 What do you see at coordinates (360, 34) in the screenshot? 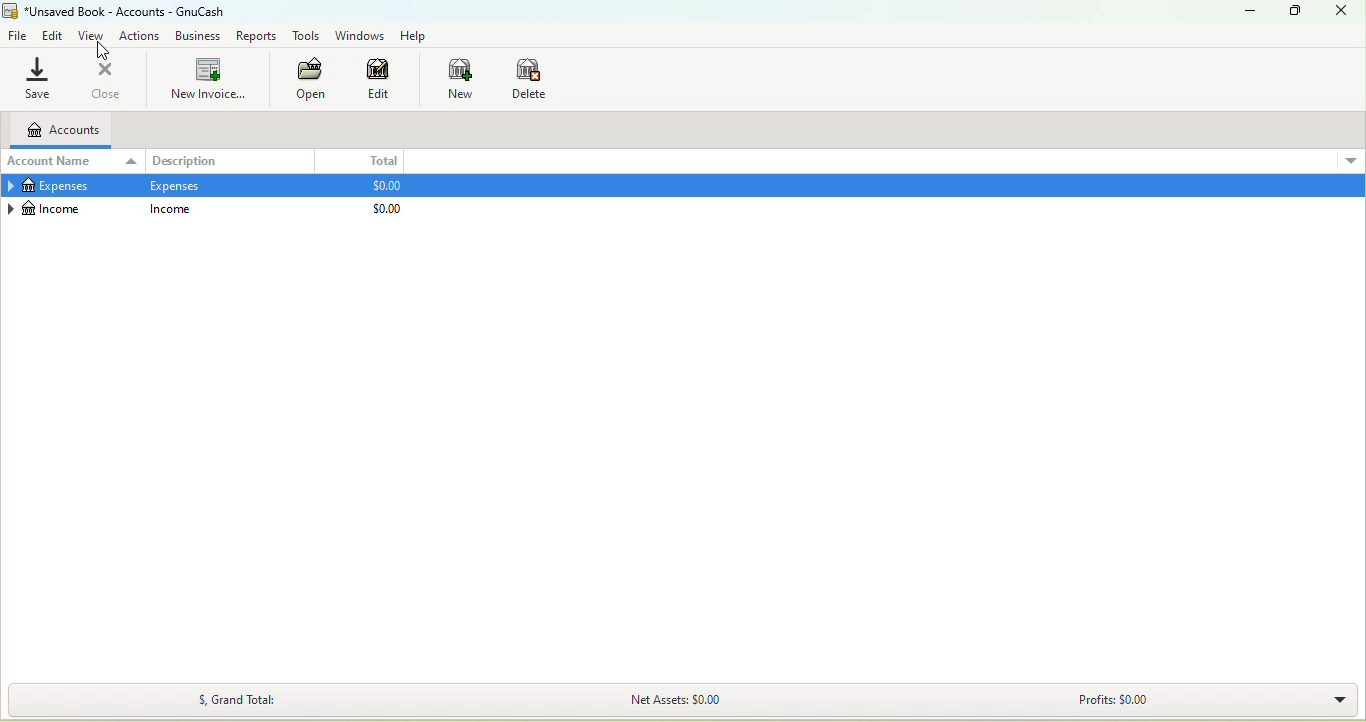
I see `Windows` at bounding box center [360, 34].